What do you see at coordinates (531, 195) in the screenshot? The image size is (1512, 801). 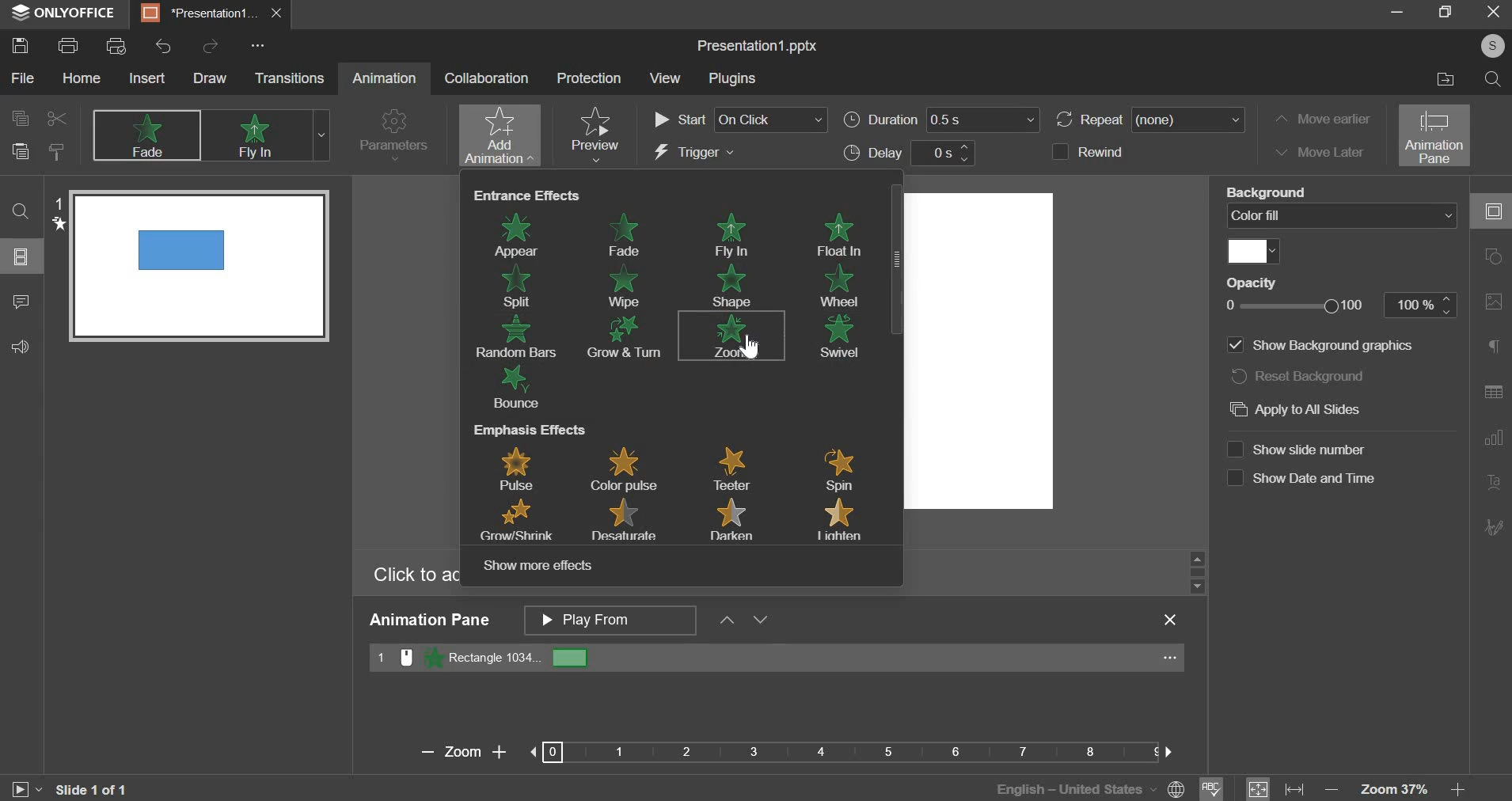 I see `entrance effects` at bounding box center [531, 195].